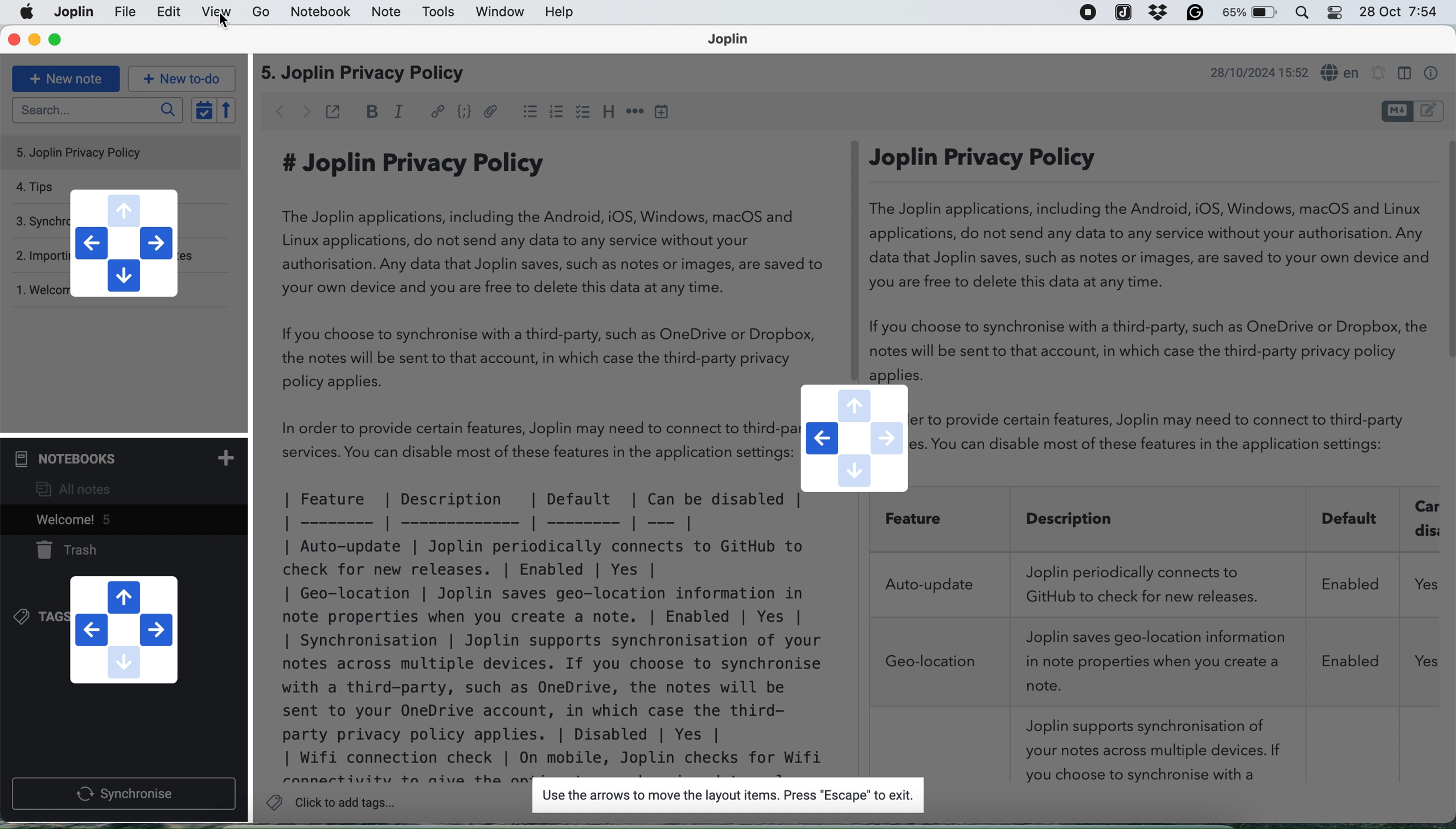 The width and height of the screenshot is (1456, 829). What do you see at coordinates (735, 41) in the screenshot?
I see `Joplin` at bounding box center [735, 41].